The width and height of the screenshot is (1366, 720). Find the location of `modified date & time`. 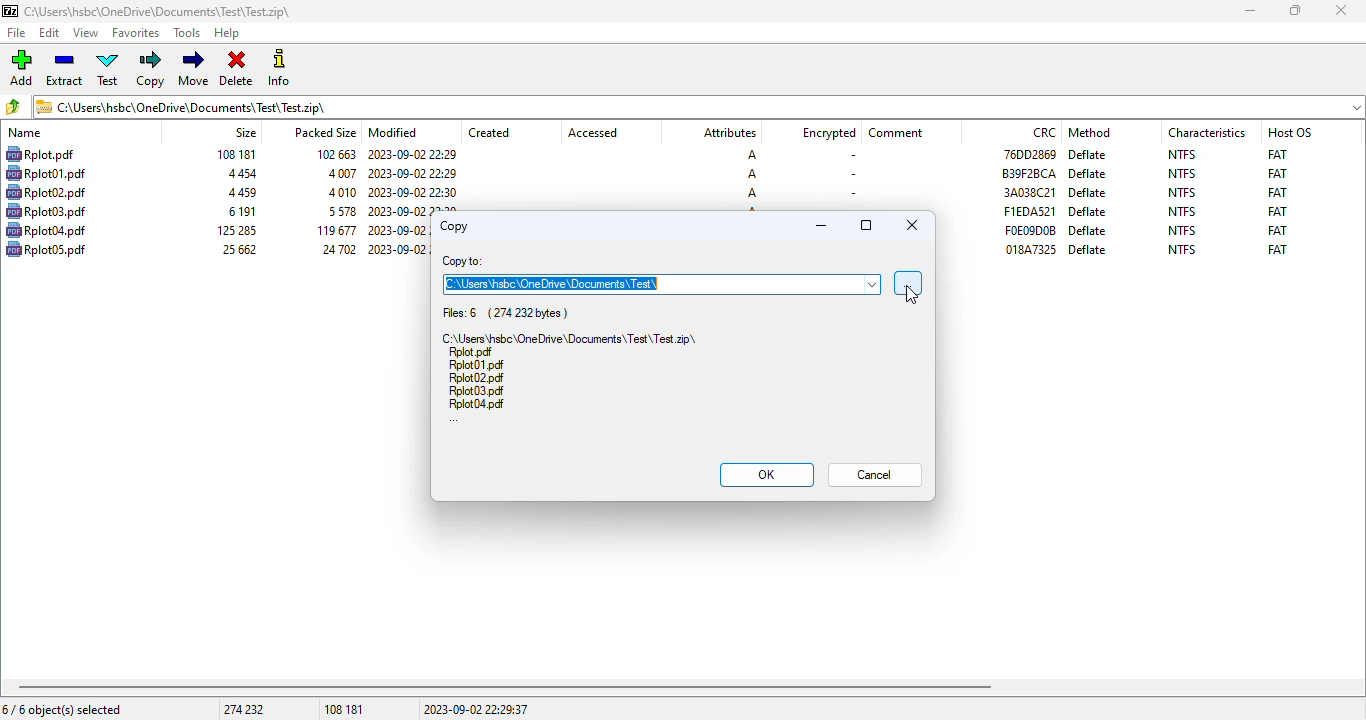

modified date & time is located at coordinates (413, 173).